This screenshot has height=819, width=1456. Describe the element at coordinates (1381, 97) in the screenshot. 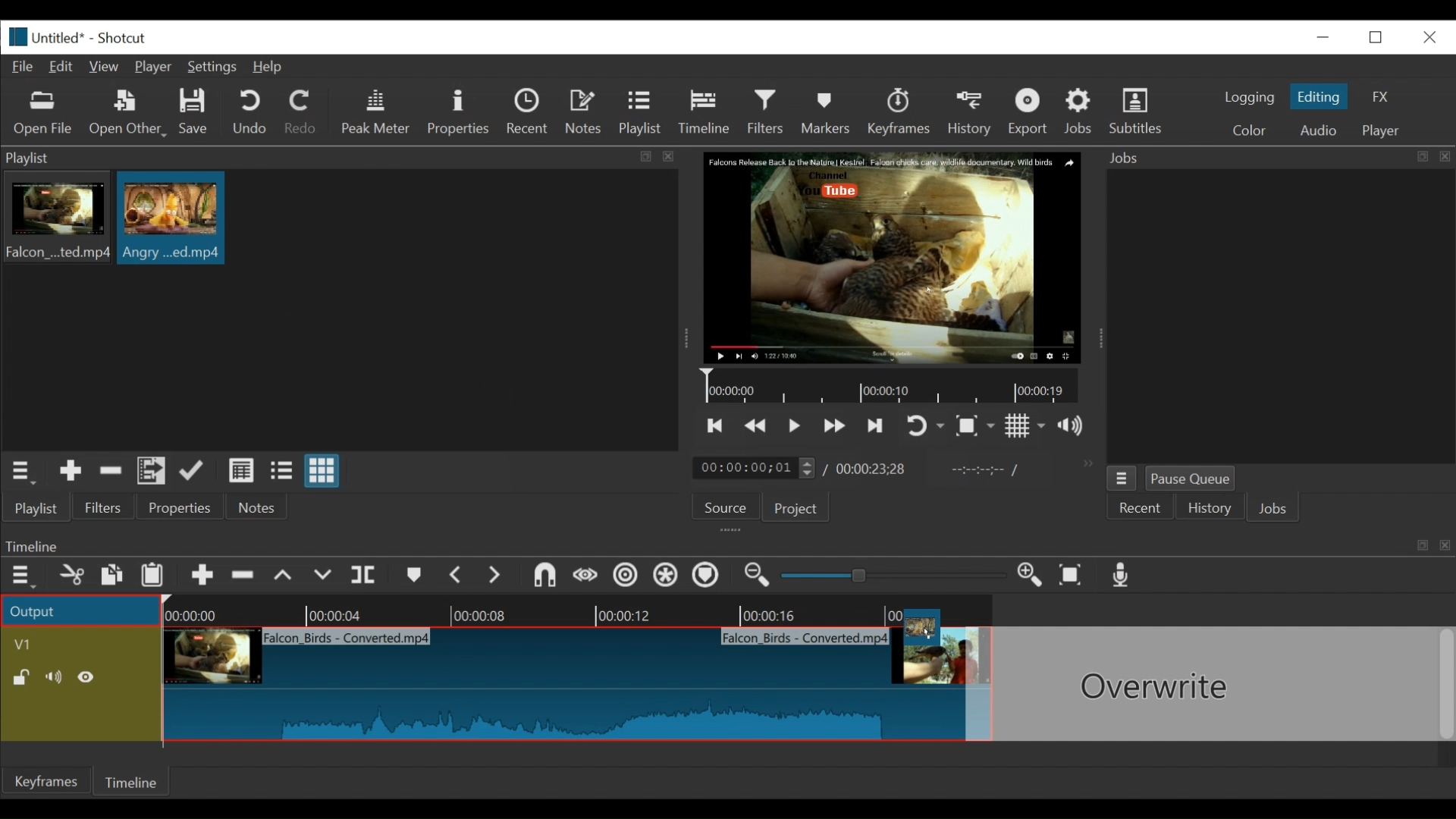

I see `FX` at that location.